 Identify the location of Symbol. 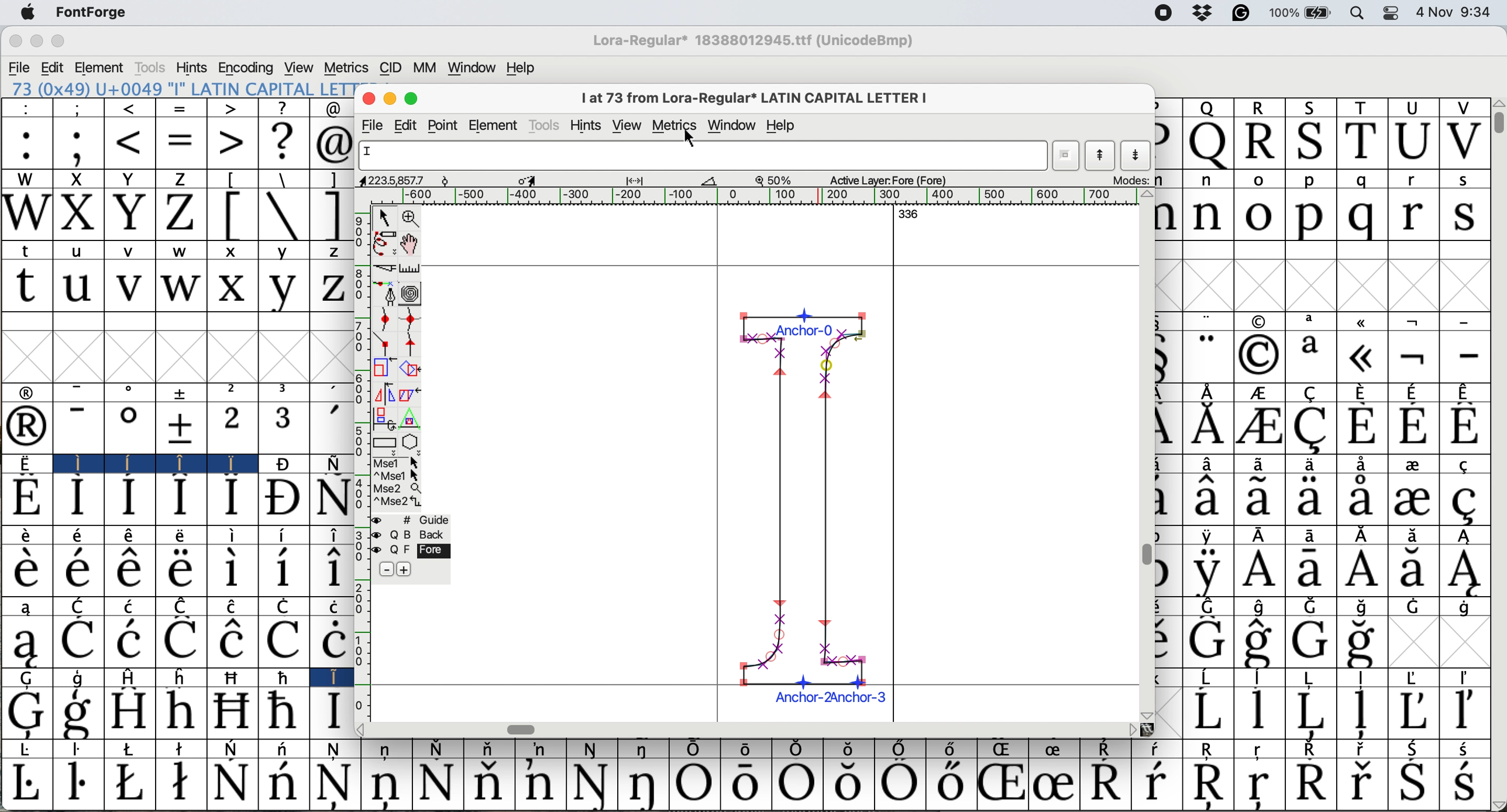
(694, 785).